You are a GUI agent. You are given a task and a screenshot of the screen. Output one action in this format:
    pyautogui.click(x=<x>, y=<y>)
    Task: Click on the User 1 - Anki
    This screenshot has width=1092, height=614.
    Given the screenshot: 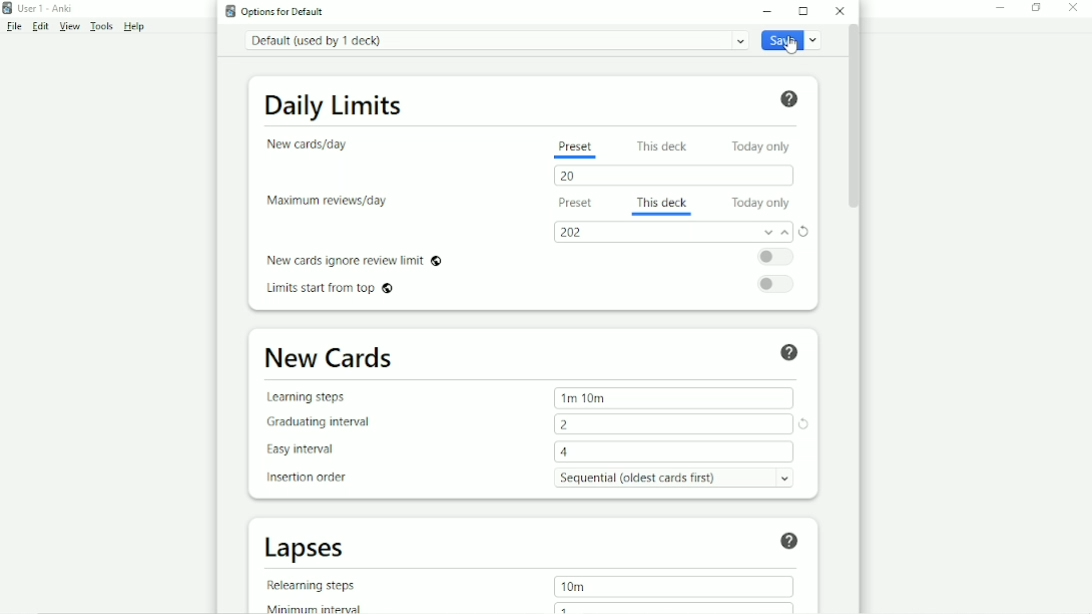 What is the action you would take?
    pyautogui.click(x=45, y=7)
    